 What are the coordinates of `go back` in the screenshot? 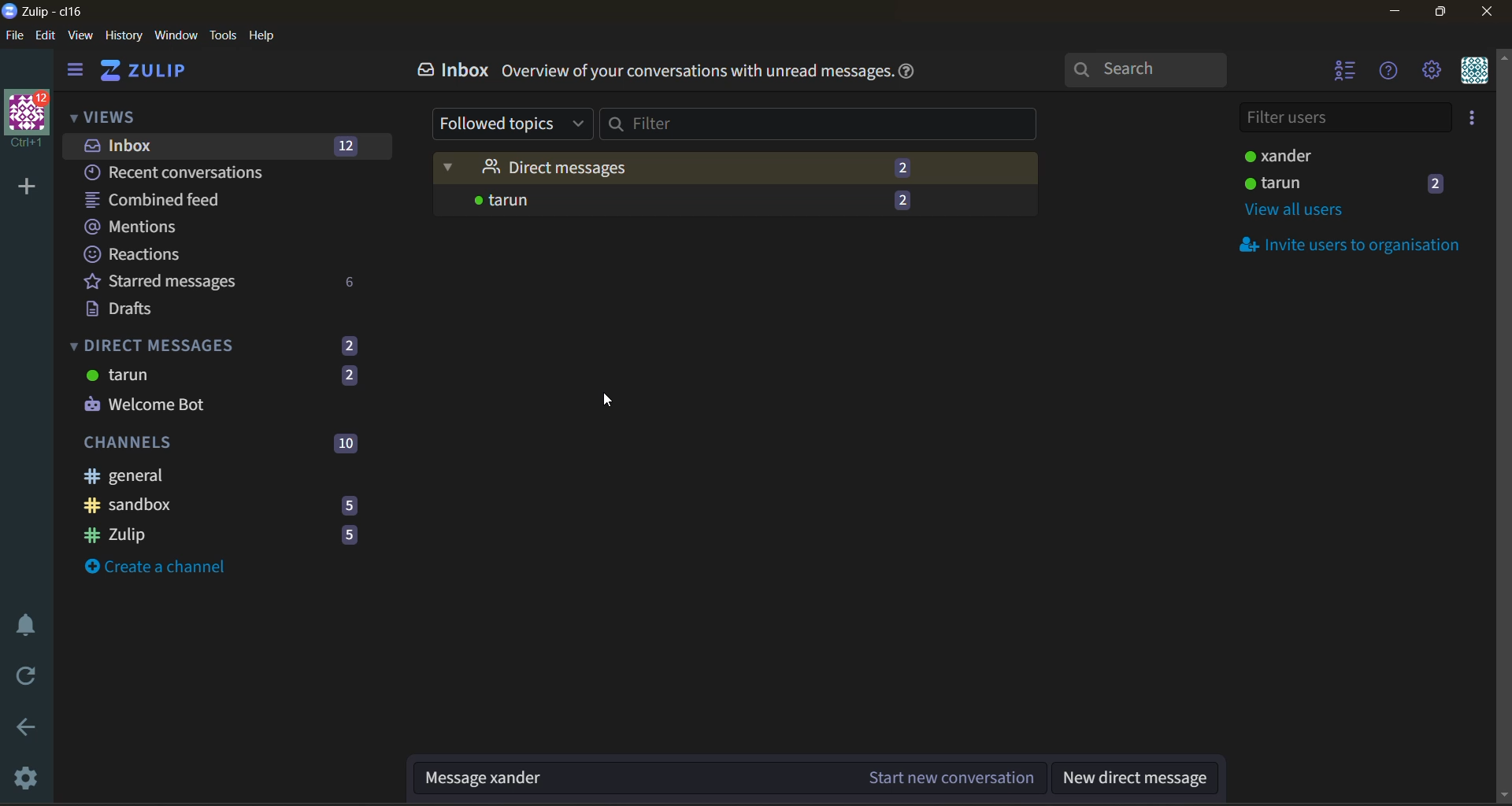 It's located at (31, 728).